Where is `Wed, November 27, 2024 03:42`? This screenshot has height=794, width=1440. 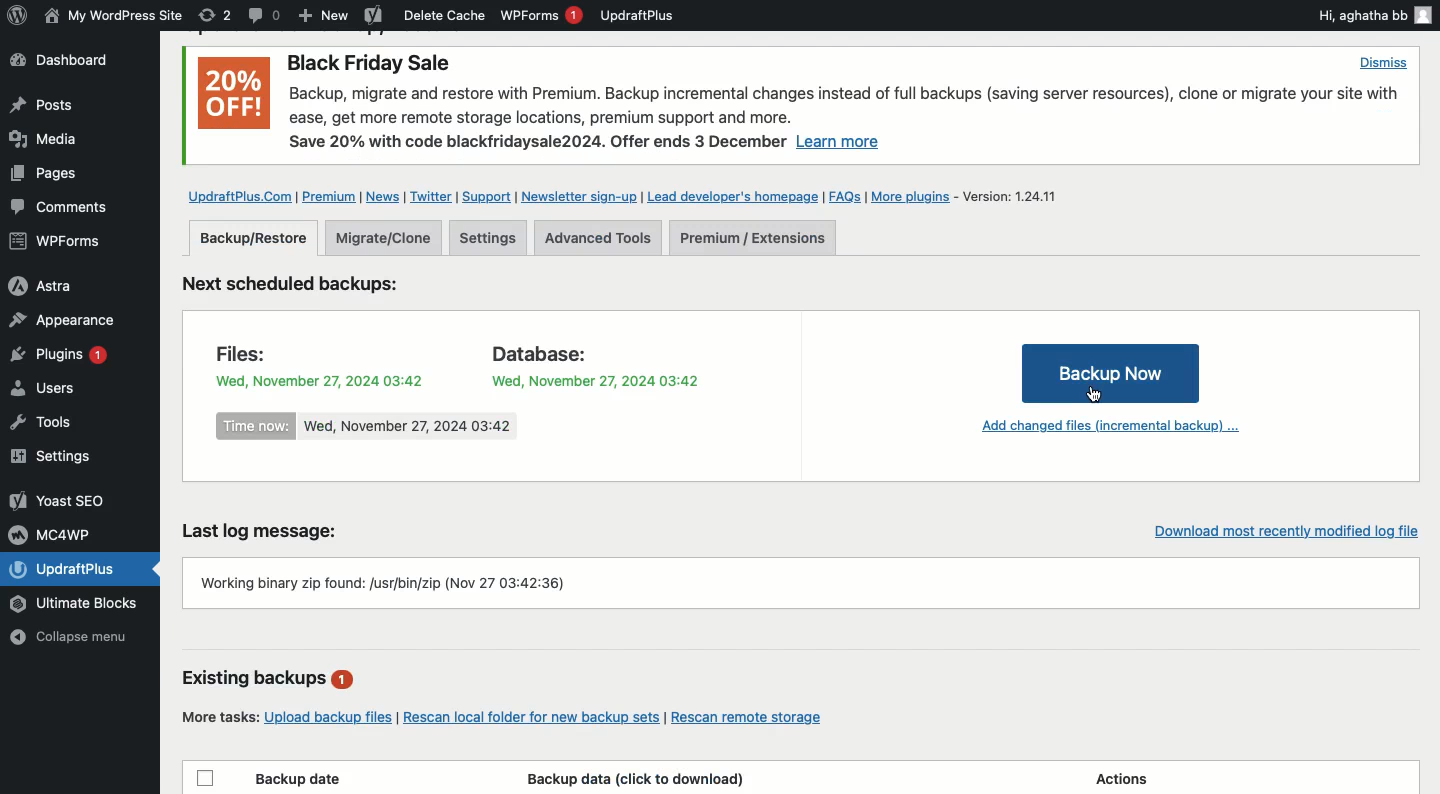
Wed, November 27, 2024 03:42 is located at coordinates (319, 378).